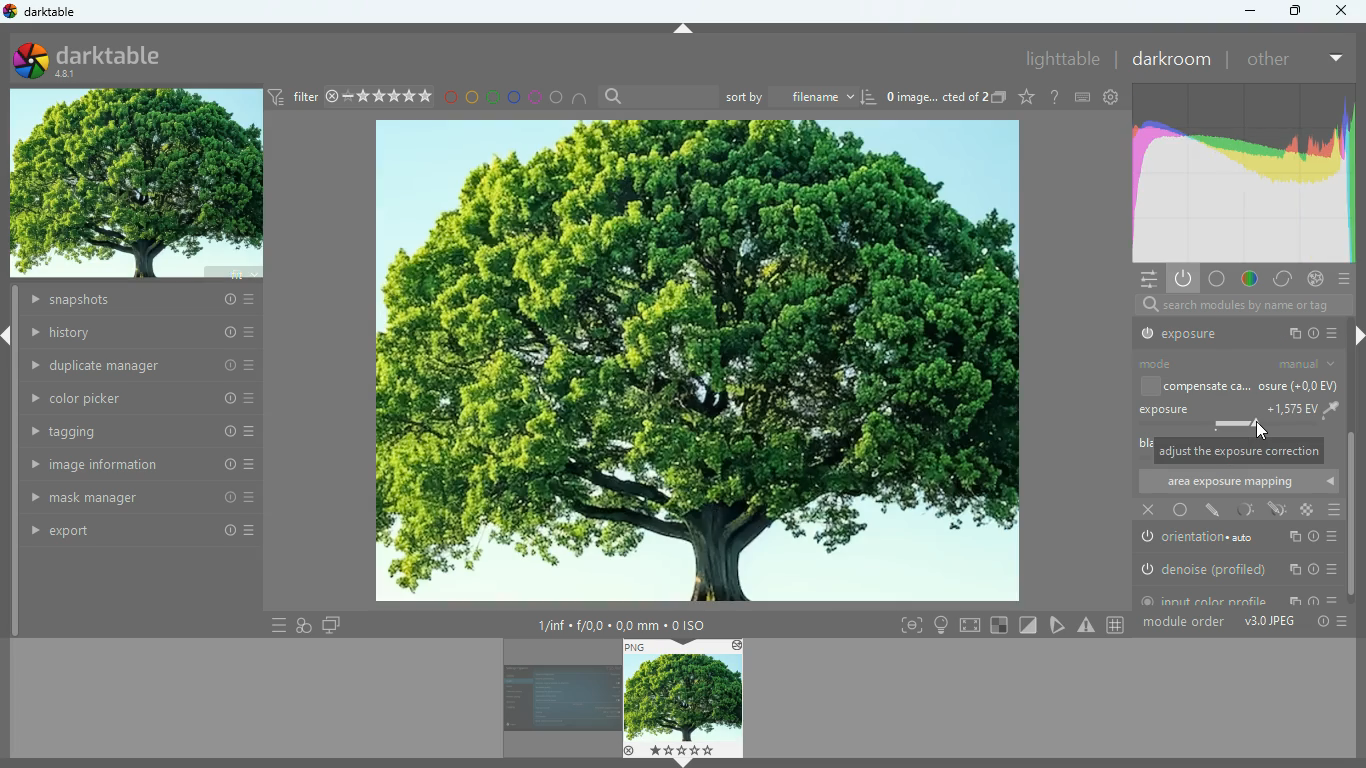 Image resolution: width=1366 pixels, height=768 pixels. I want to click on image, so click(686, 699).